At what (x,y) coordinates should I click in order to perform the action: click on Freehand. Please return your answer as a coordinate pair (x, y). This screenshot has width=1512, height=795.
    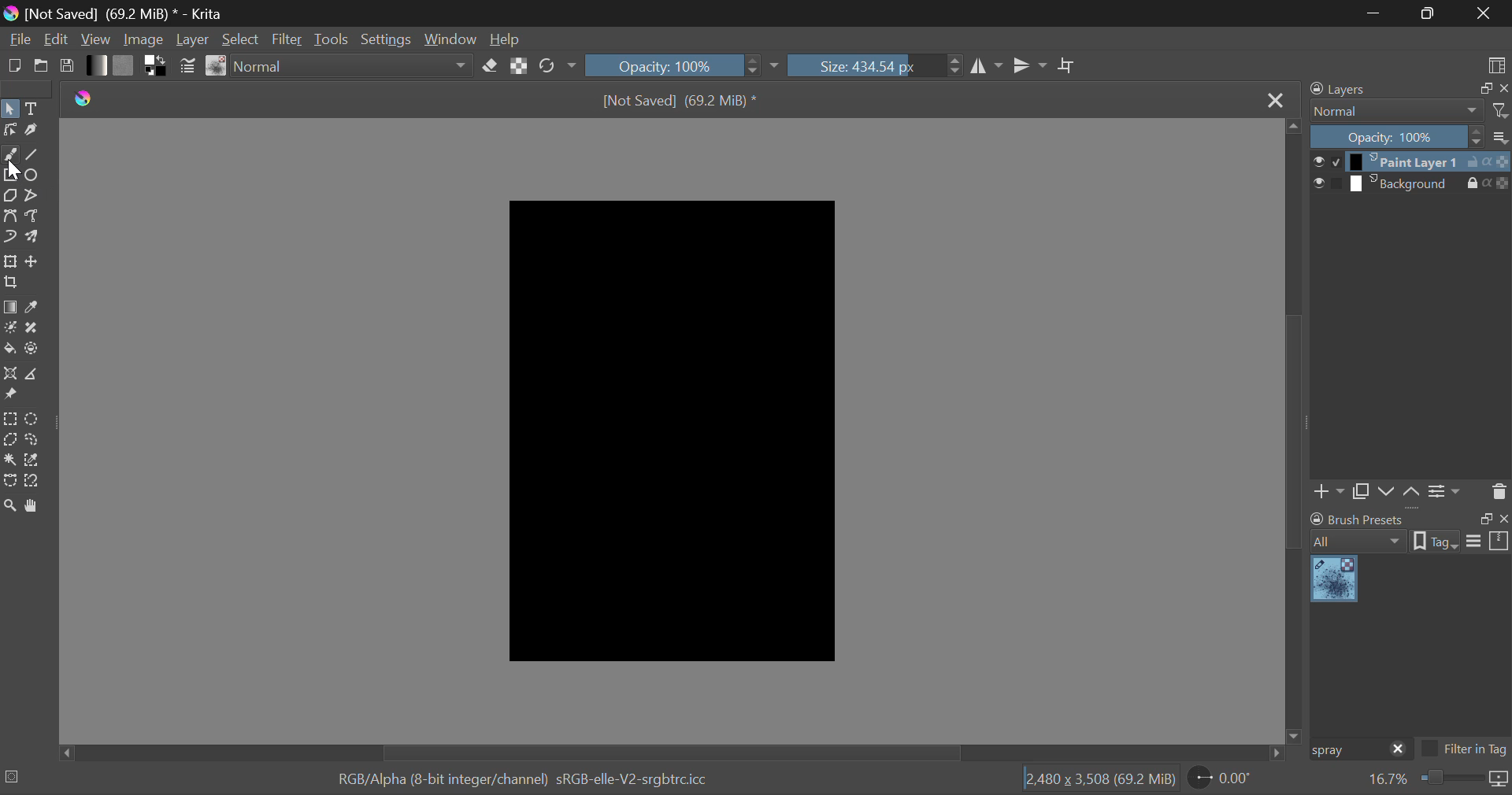
    Looking at the image, I should click on (10, 156).